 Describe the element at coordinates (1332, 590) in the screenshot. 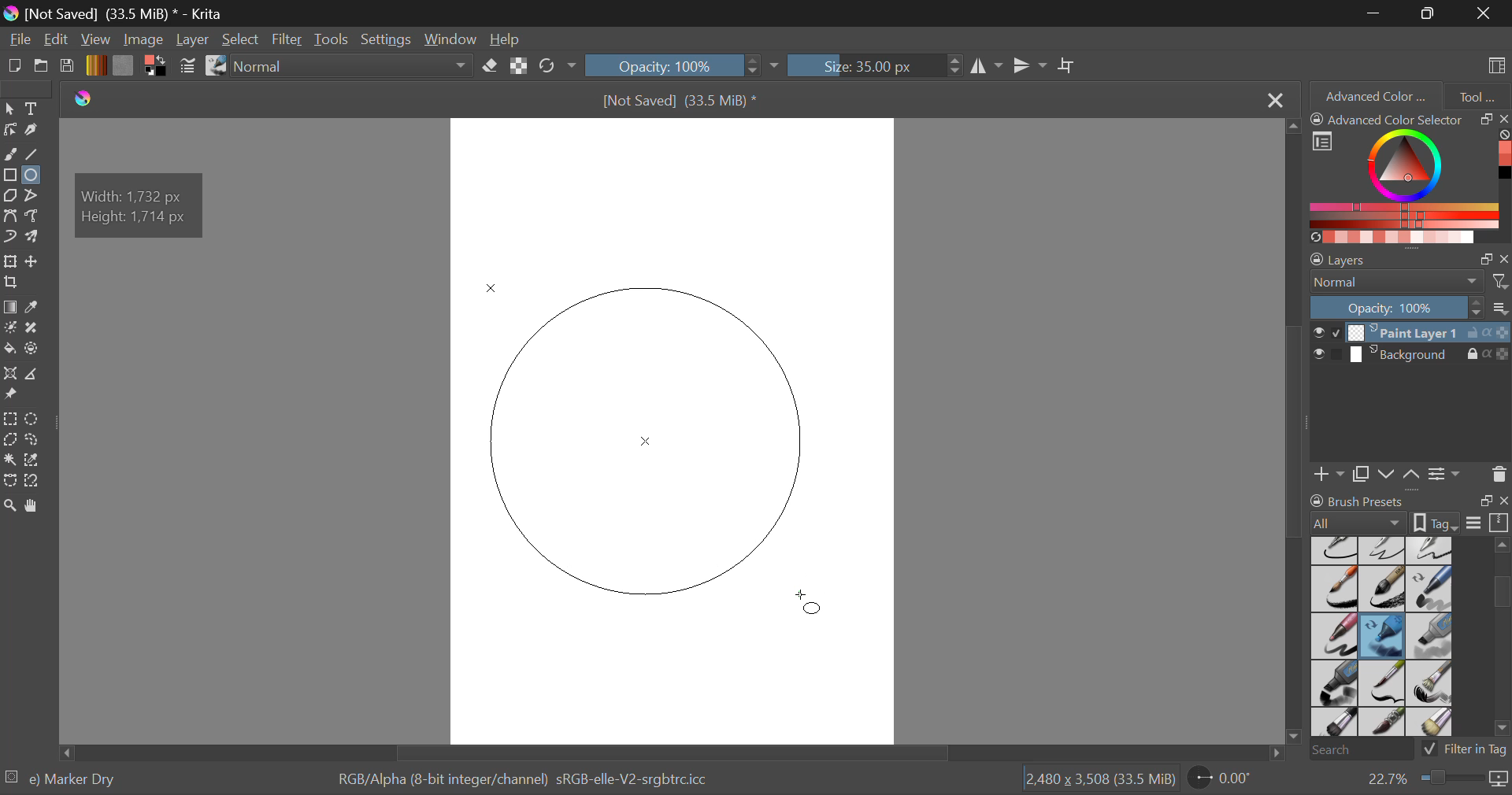

I see `Ink-7 Brush Rough` at that location.